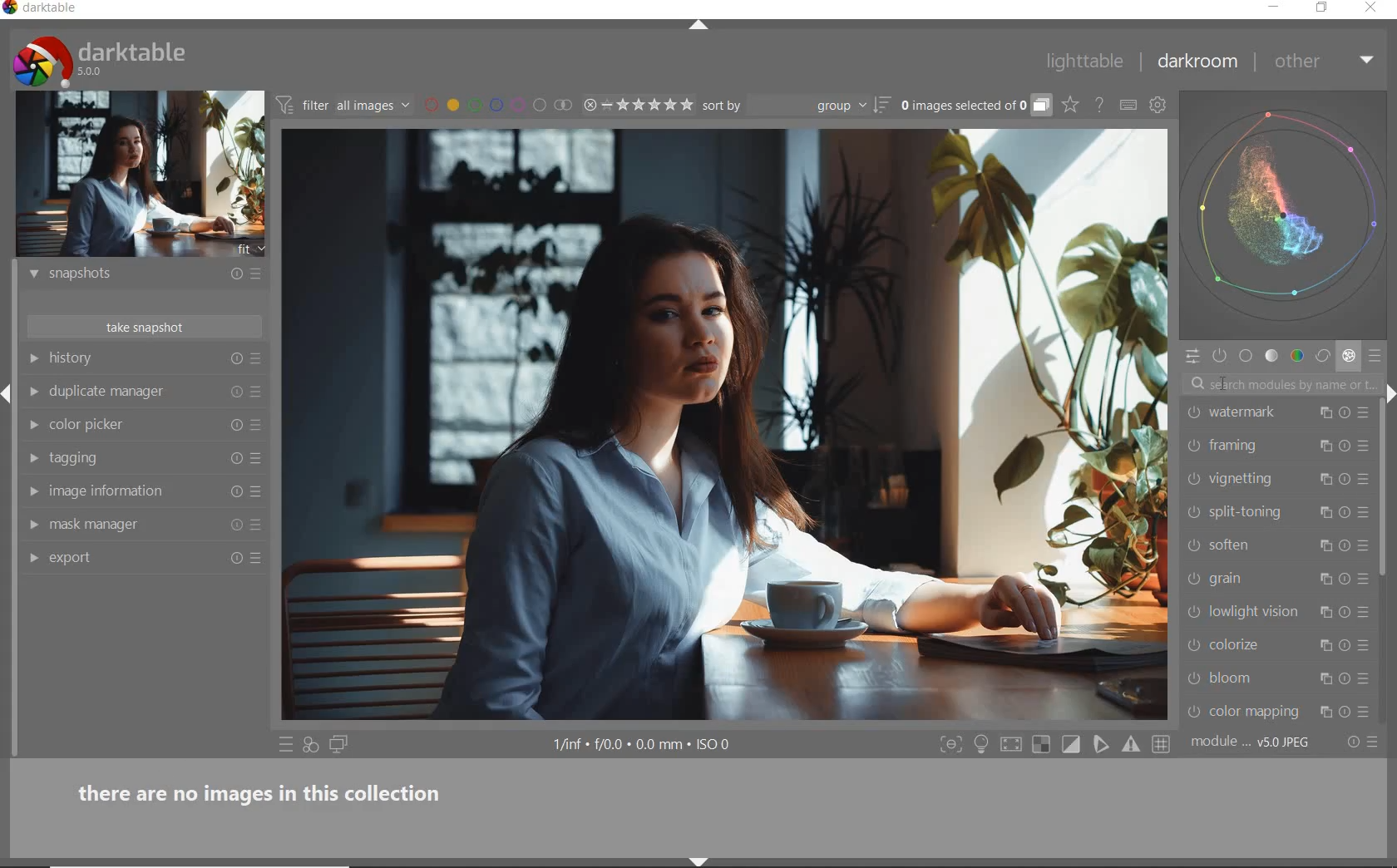 This screenshot has height=868, width=1397. Describe the element at coordinates (1163, 743) in the screenshot. I see `Toggle guide lines` at that location.